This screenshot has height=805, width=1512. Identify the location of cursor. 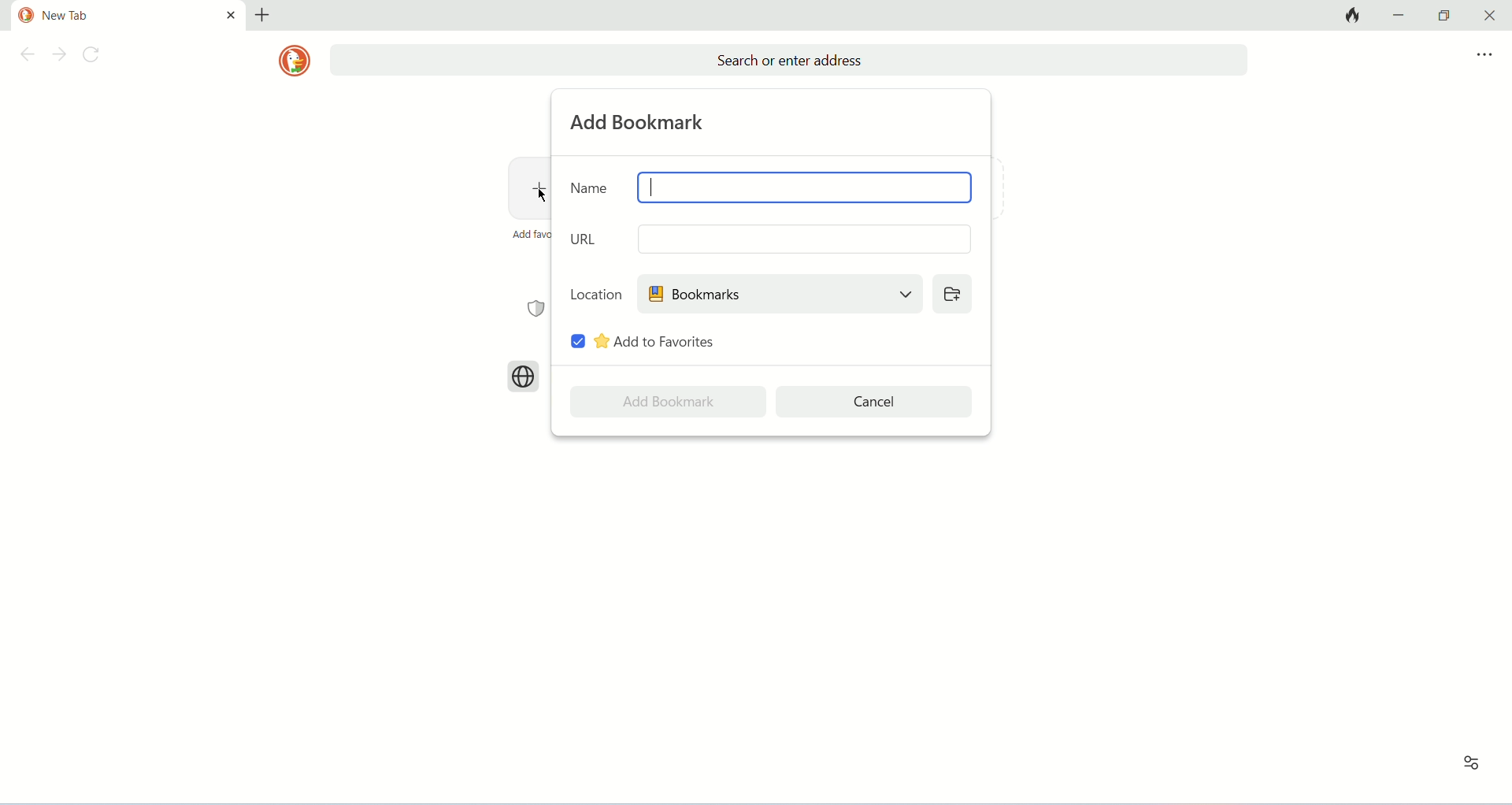
(543, 196).